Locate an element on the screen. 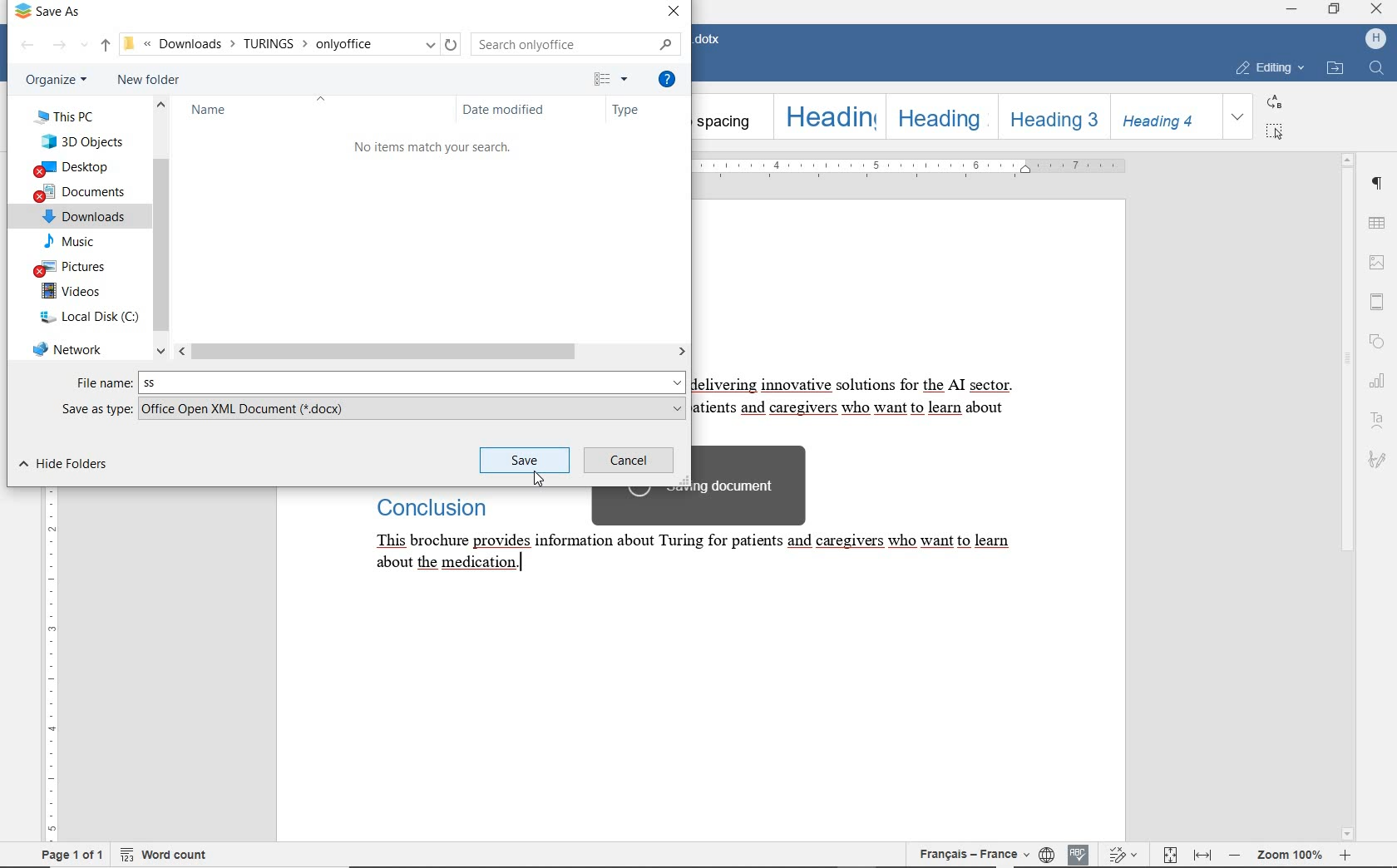  CANCEL is located at coordinates (630, 460).